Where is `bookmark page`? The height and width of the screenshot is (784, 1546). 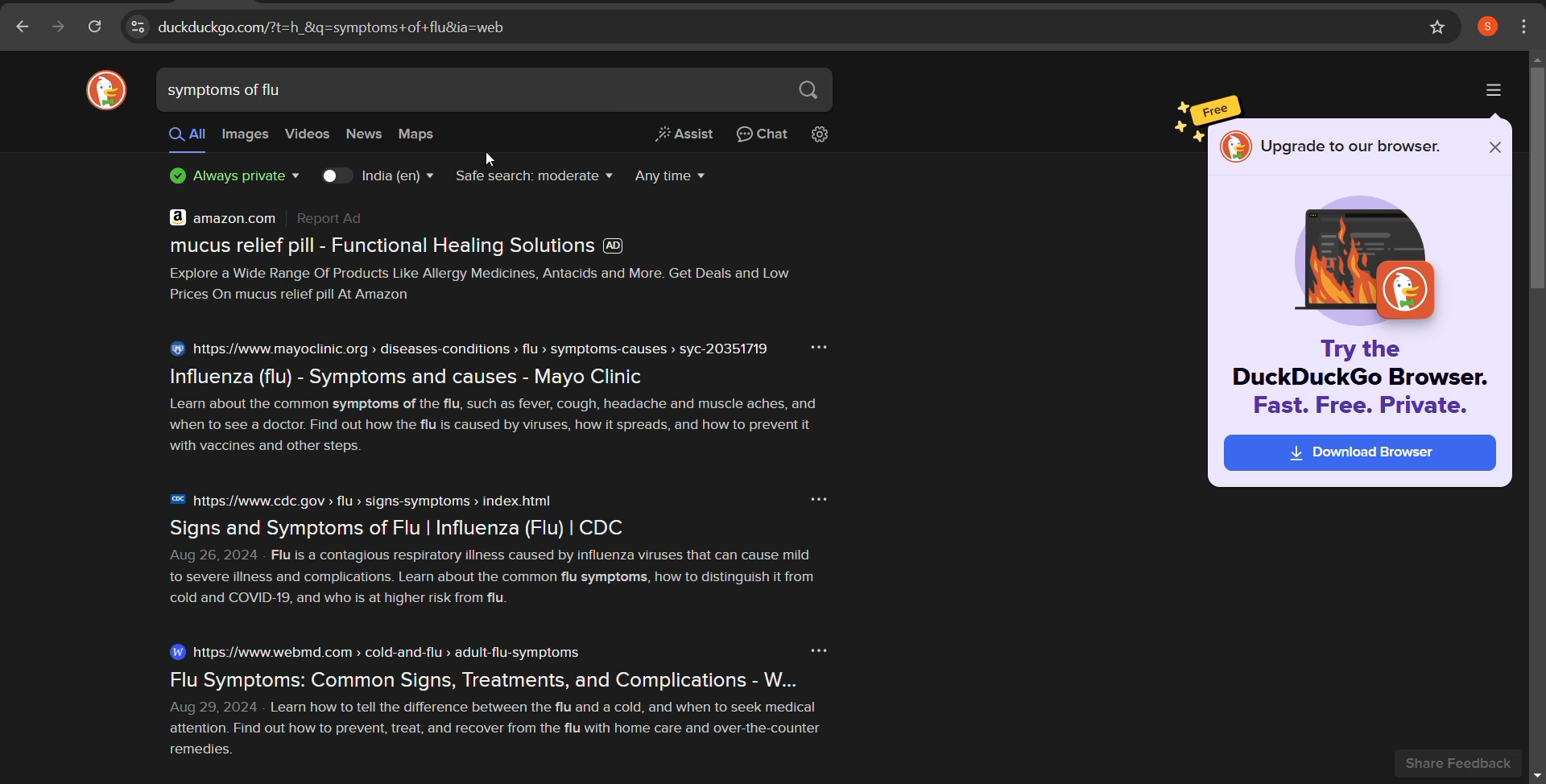
bookmark page is located at coordinates (1439, 27).